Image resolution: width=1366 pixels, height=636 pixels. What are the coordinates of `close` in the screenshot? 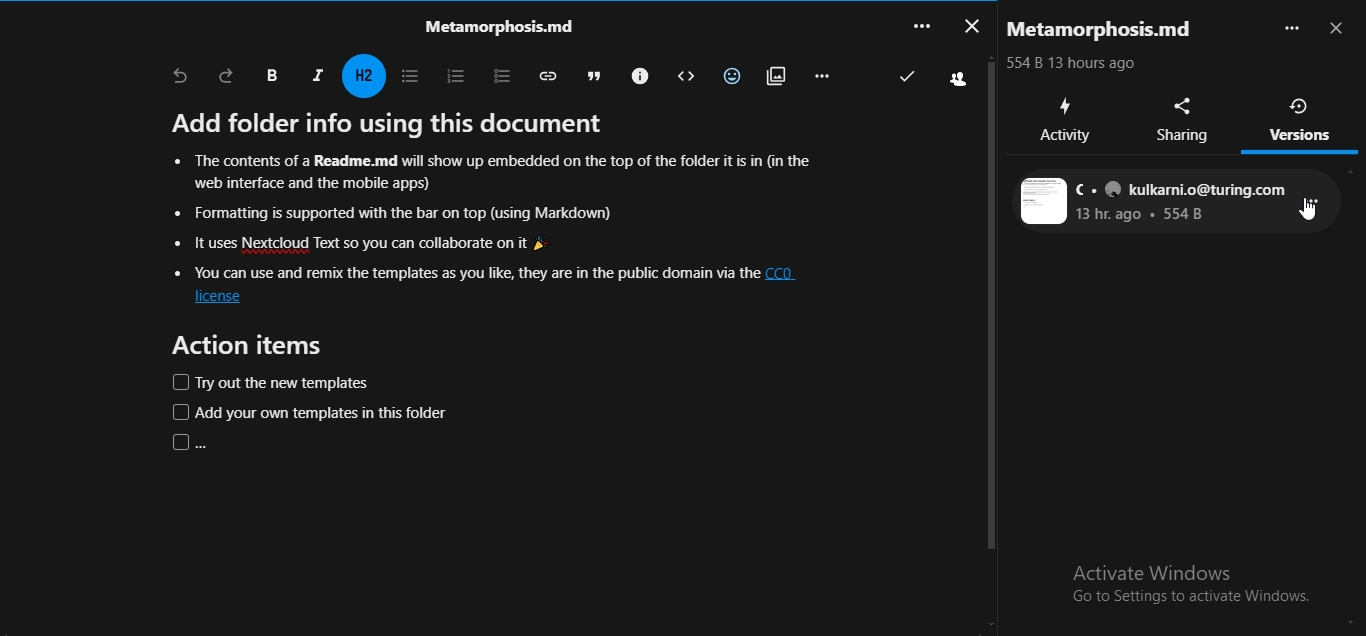 It's located at (970, 24).